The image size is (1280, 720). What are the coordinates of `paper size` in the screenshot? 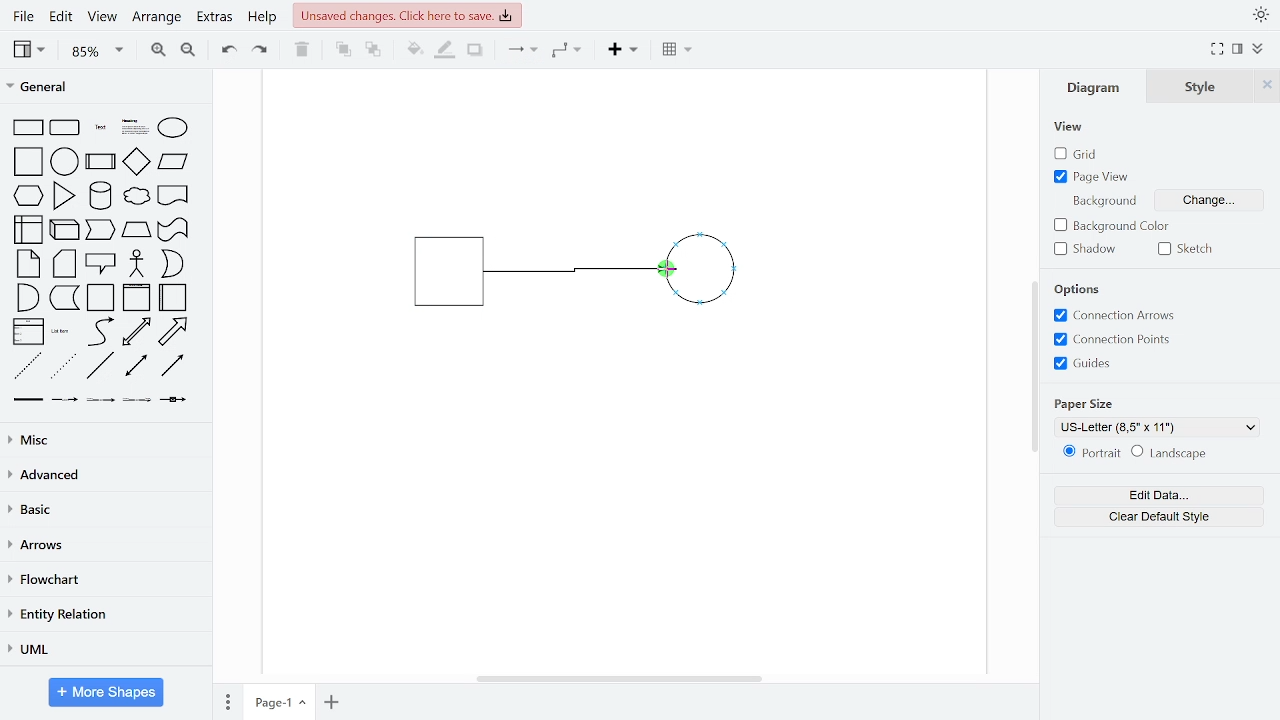 It's located at (1086, 402).